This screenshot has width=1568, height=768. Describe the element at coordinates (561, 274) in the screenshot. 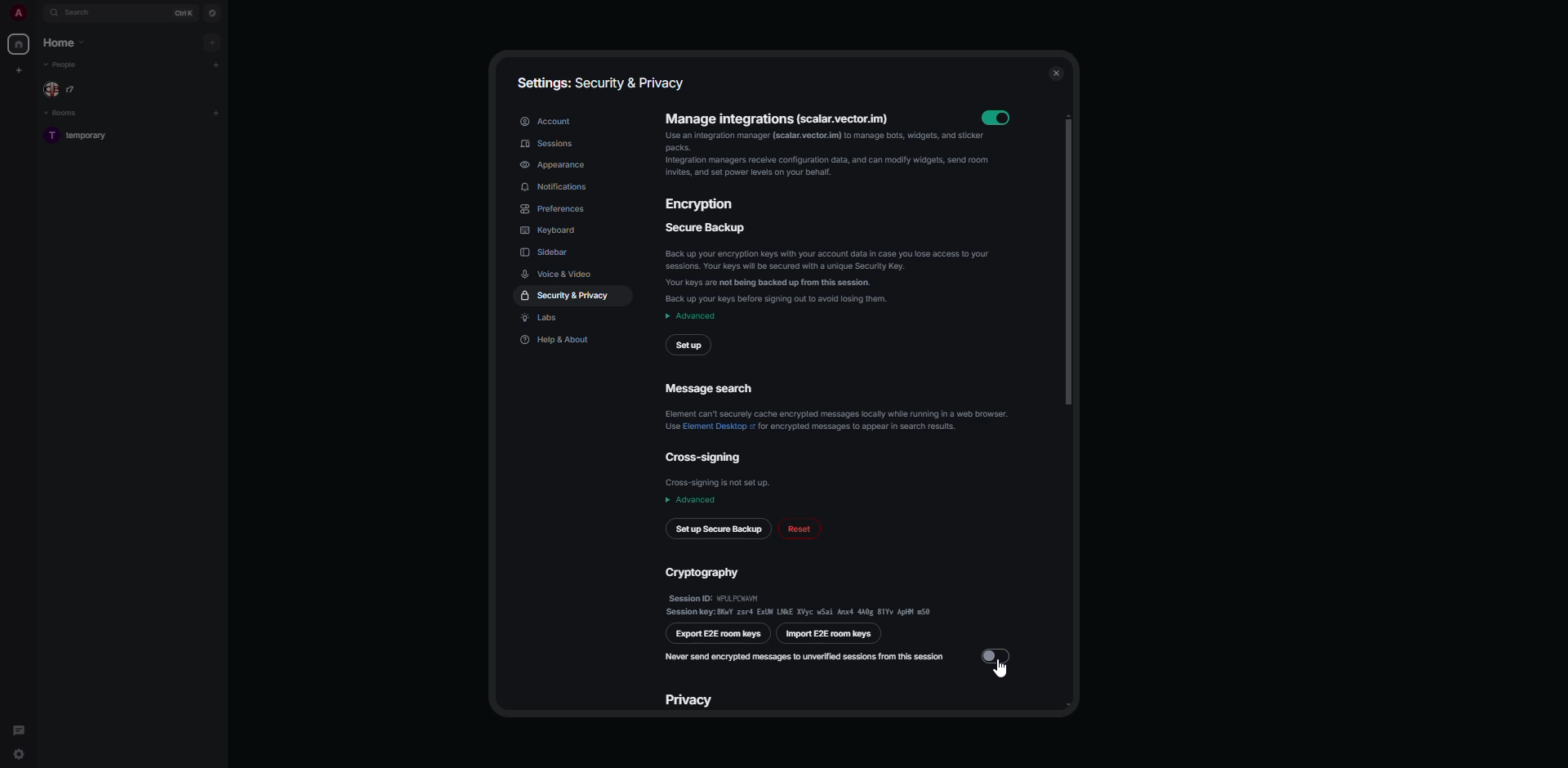

I see `voice & video` at that location.